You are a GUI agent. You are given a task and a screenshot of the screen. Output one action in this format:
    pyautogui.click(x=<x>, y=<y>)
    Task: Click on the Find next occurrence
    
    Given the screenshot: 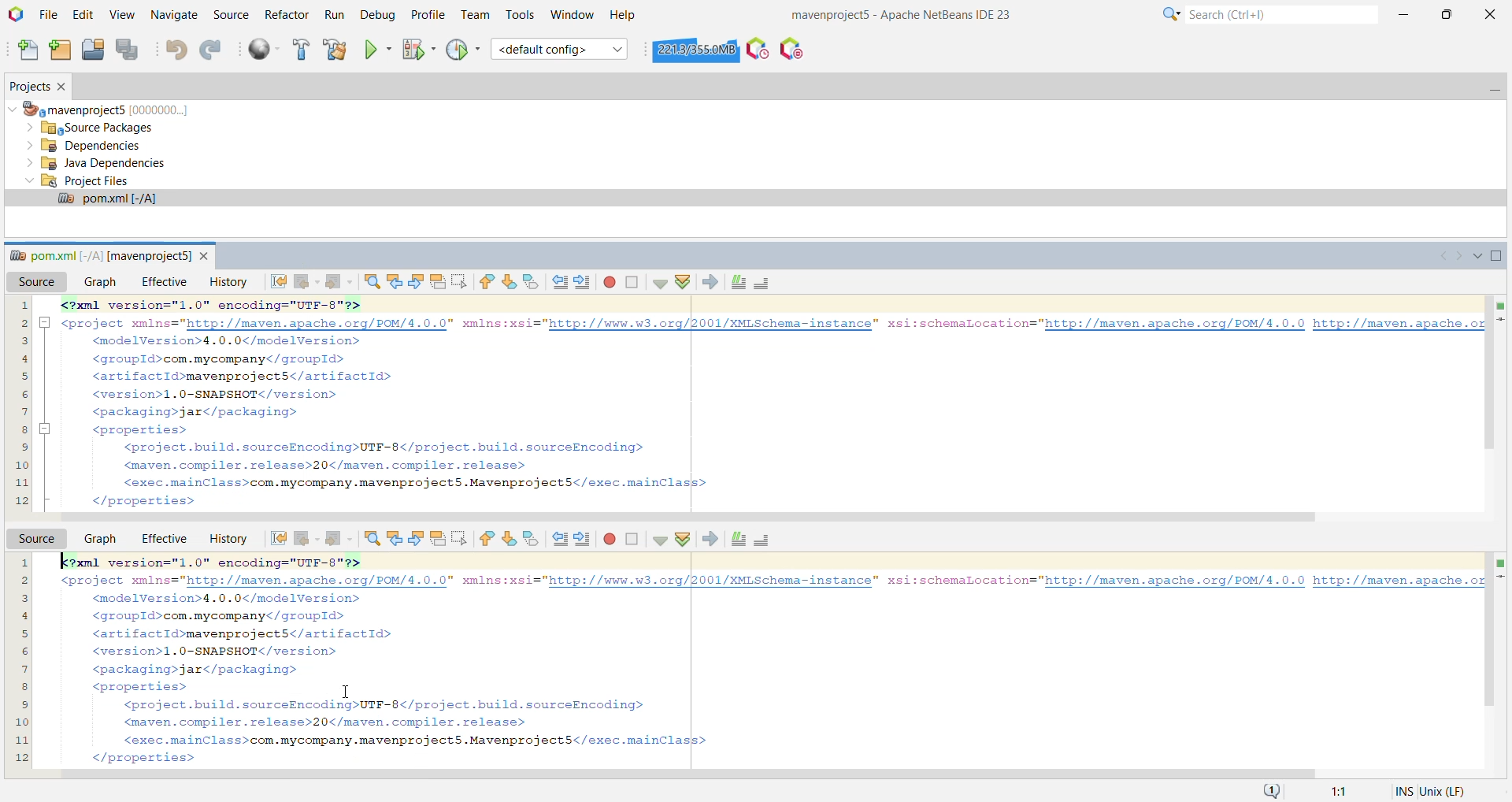 What is the action you would take?
    pyautogui.click(x=417, y=281)
    